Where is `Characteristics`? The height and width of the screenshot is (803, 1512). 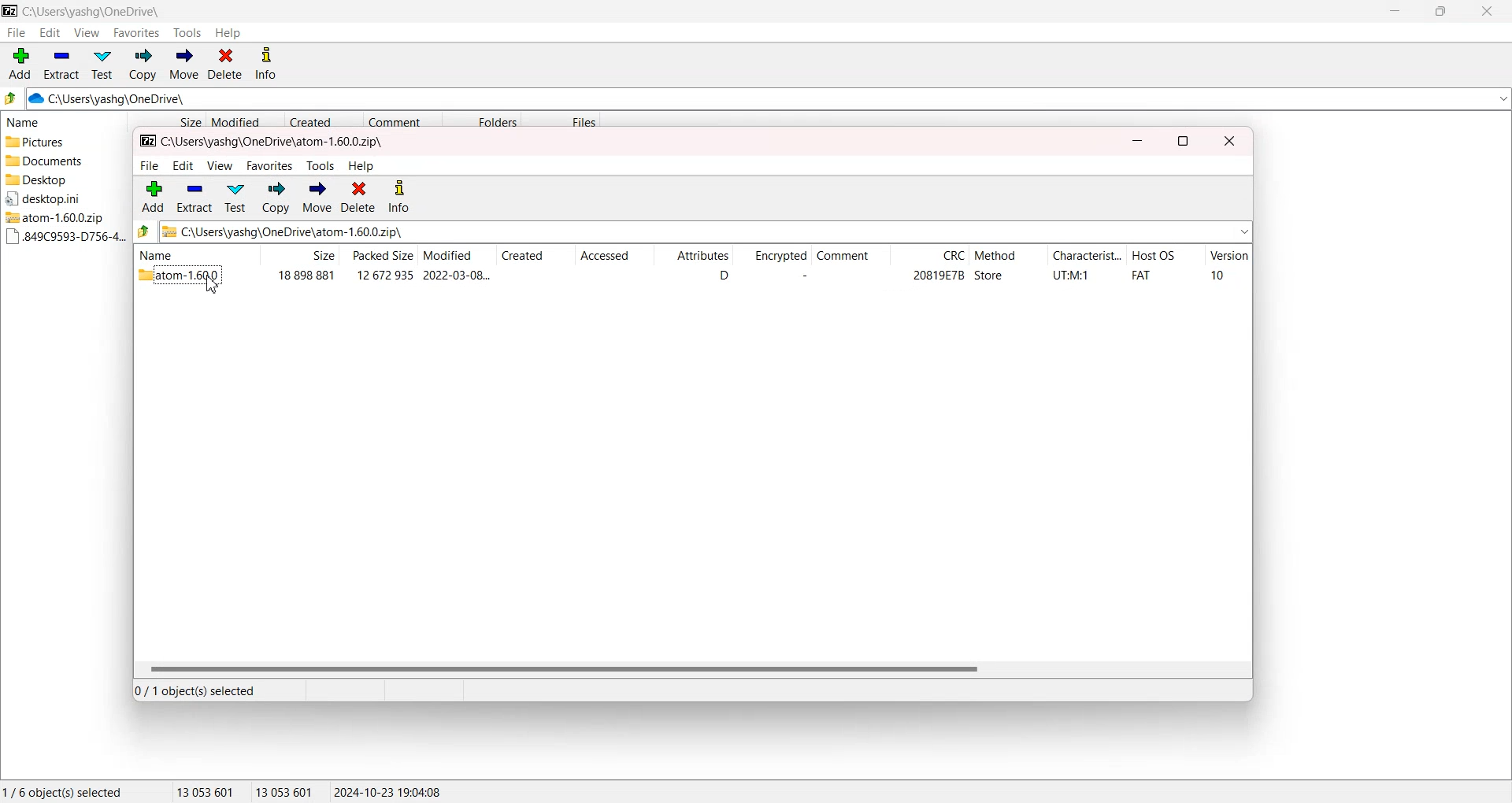
Characteristics is located at coordinates (1087, 257).